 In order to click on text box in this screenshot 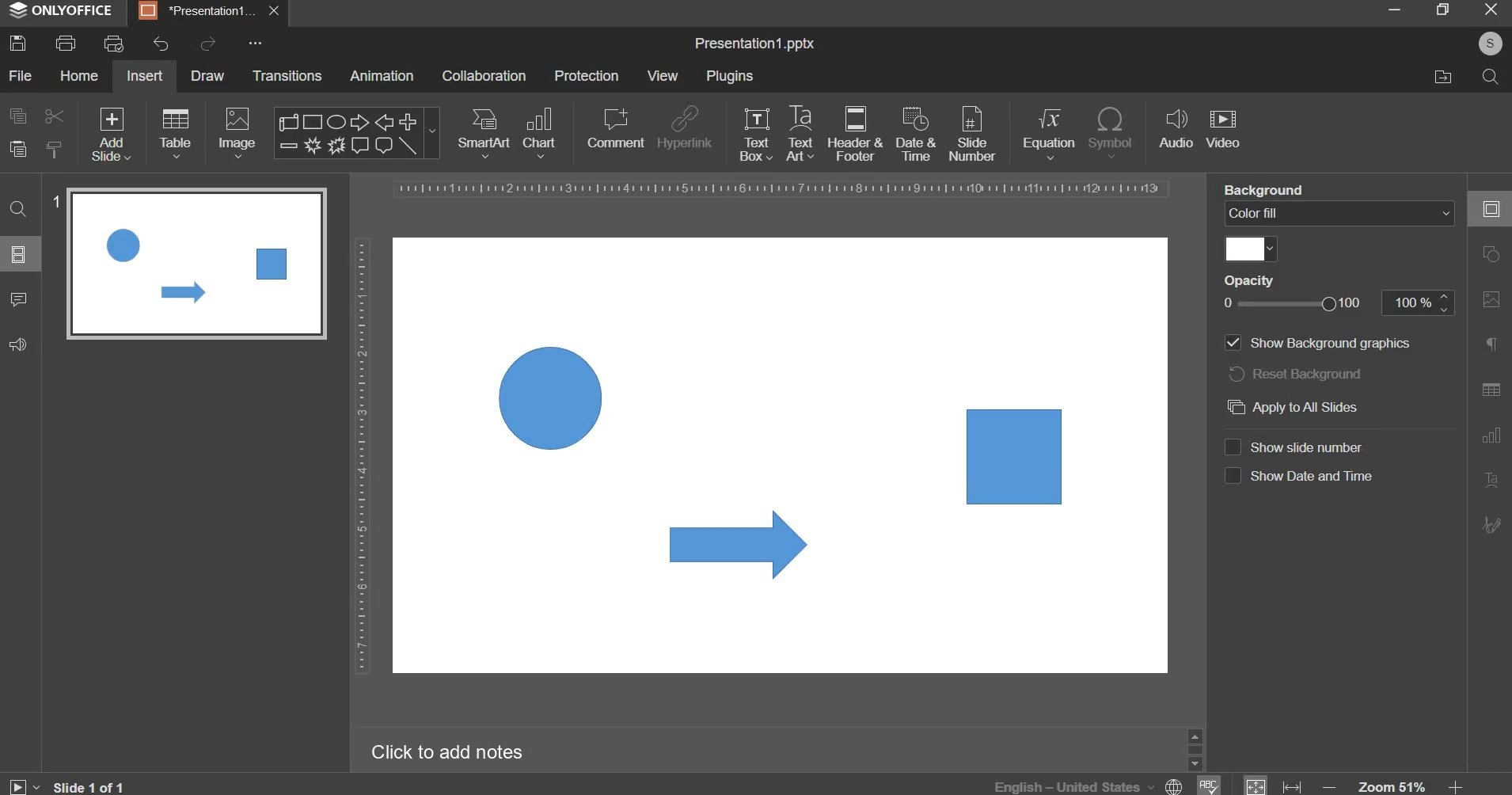, I will do `click(756, 134)`.